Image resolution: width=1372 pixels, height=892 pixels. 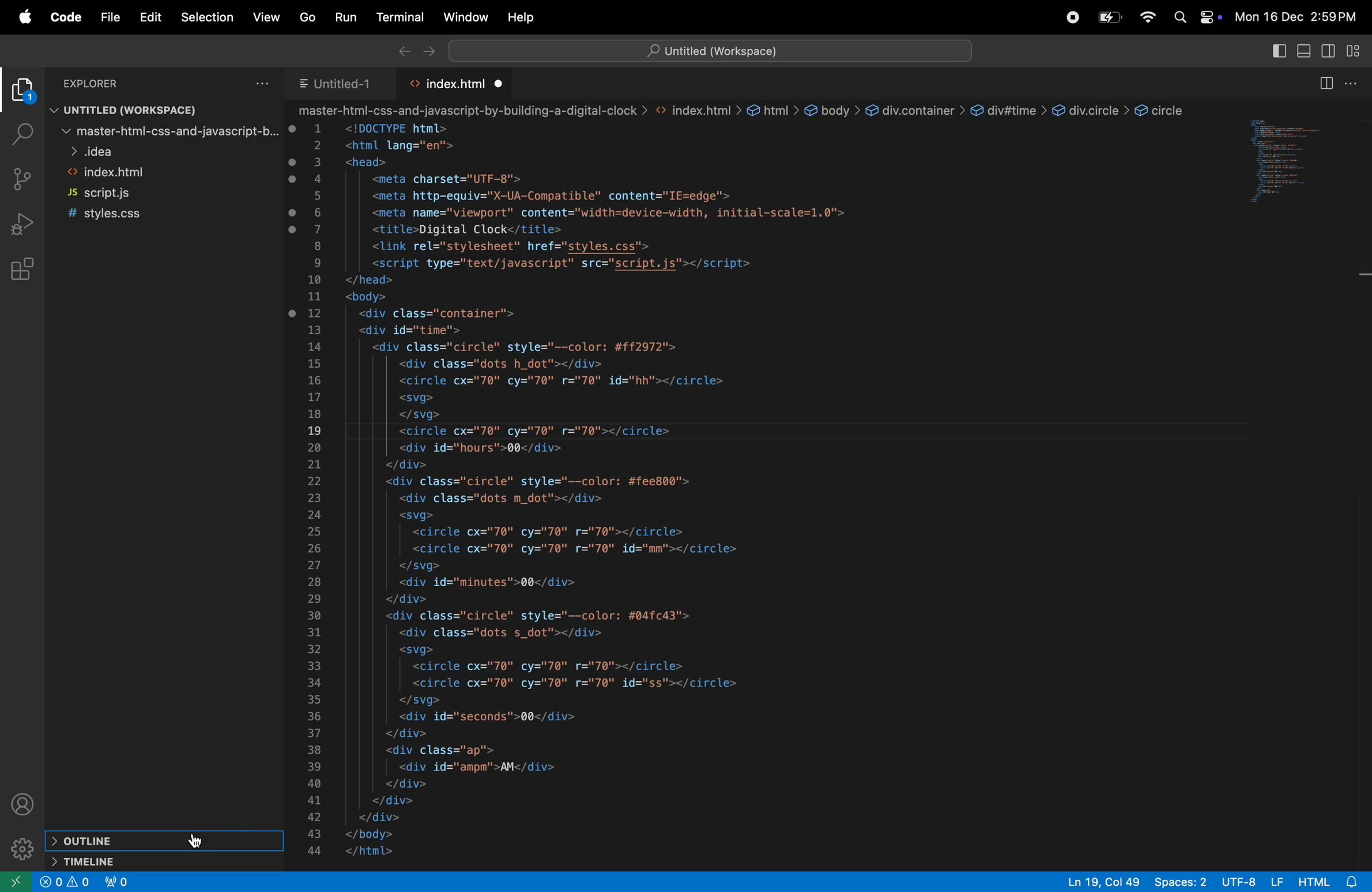 What do you see at coordinates (501, 84) in the screenshot?
I see `unsaved file ` at bounding box center [501, 84].